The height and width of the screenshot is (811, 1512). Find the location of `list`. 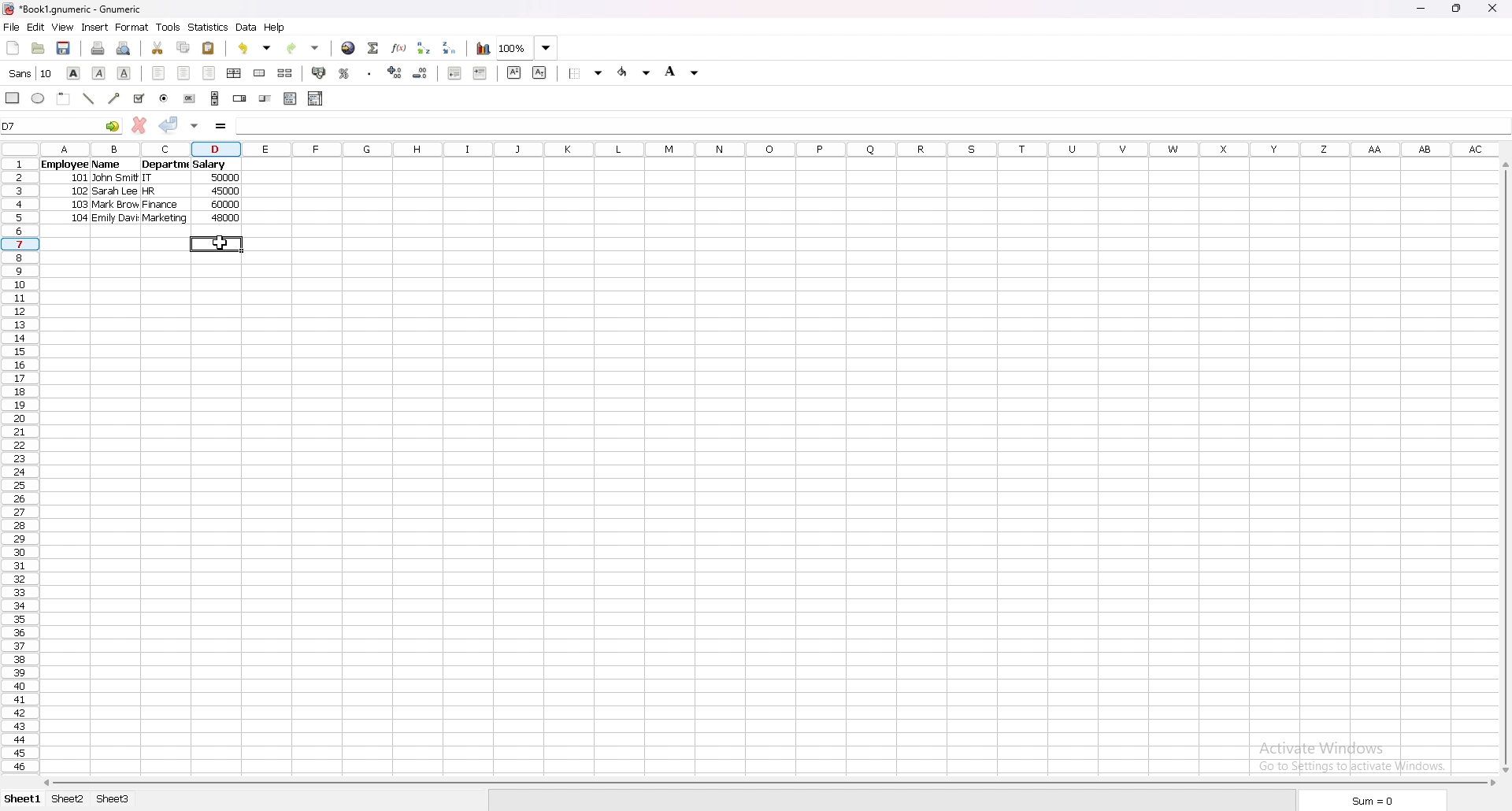

list is located at coordinates (291, 98).